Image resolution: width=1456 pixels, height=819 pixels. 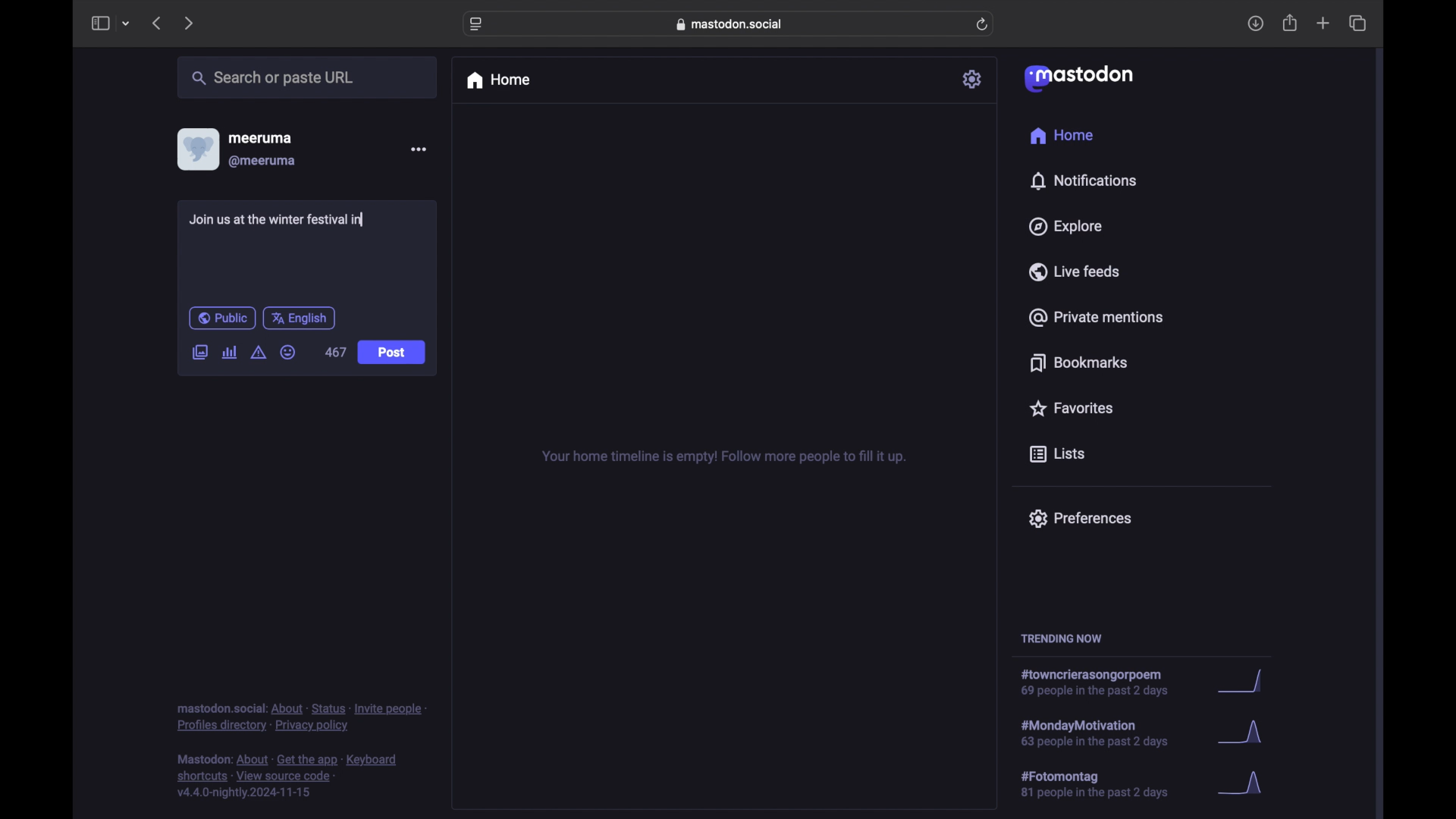 I want to click on refresh, so click(x=984, y=25).